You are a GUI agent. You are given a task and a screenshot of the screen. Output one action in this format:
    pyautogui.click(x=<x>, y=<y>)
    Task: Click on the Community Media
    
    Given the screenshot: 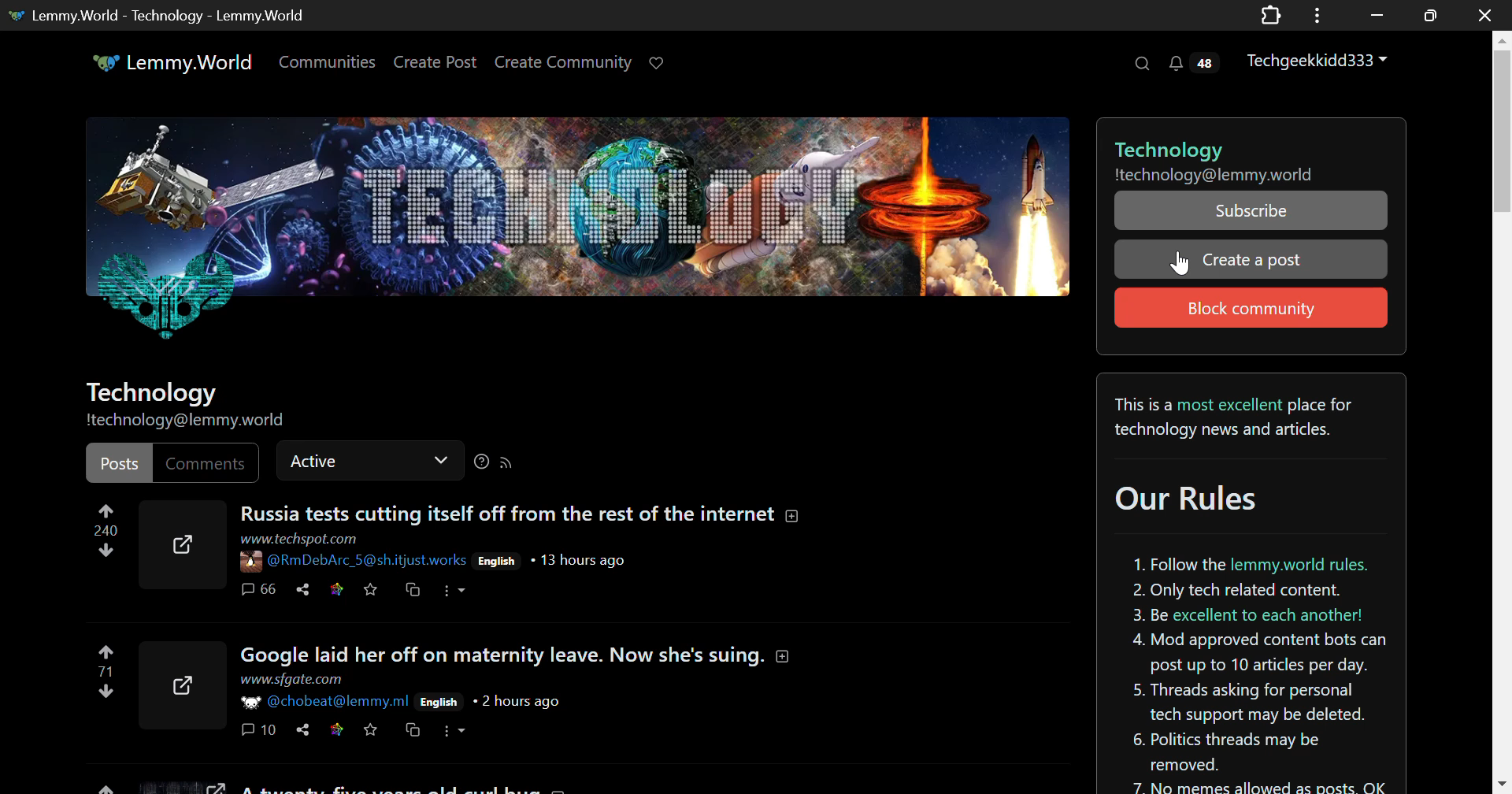 What is the action you would take?
    pyautogui.click(x=578, y=238)
    